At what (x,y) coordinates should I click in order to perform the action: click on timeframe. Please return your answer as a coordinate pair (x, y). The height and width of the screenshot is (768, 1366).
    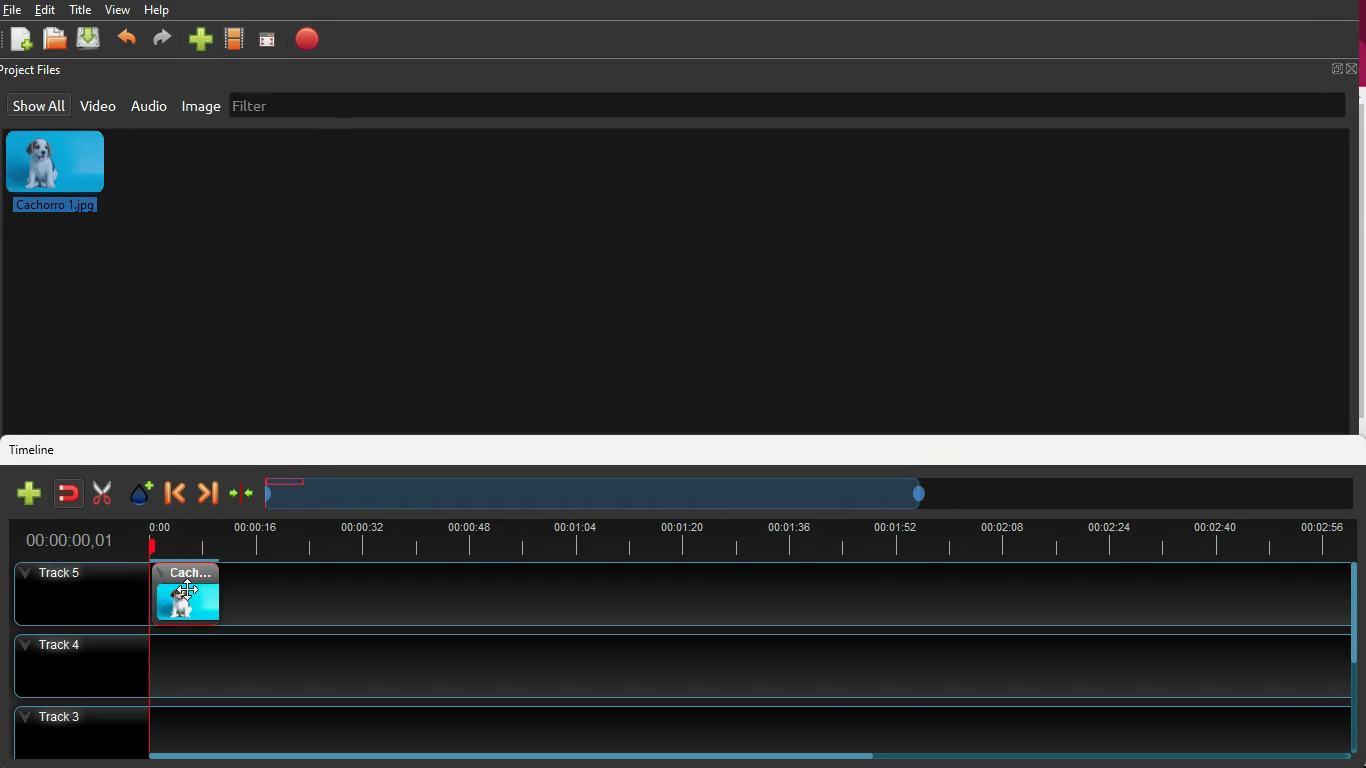
    Looking at the image, I should click on (610, 495).